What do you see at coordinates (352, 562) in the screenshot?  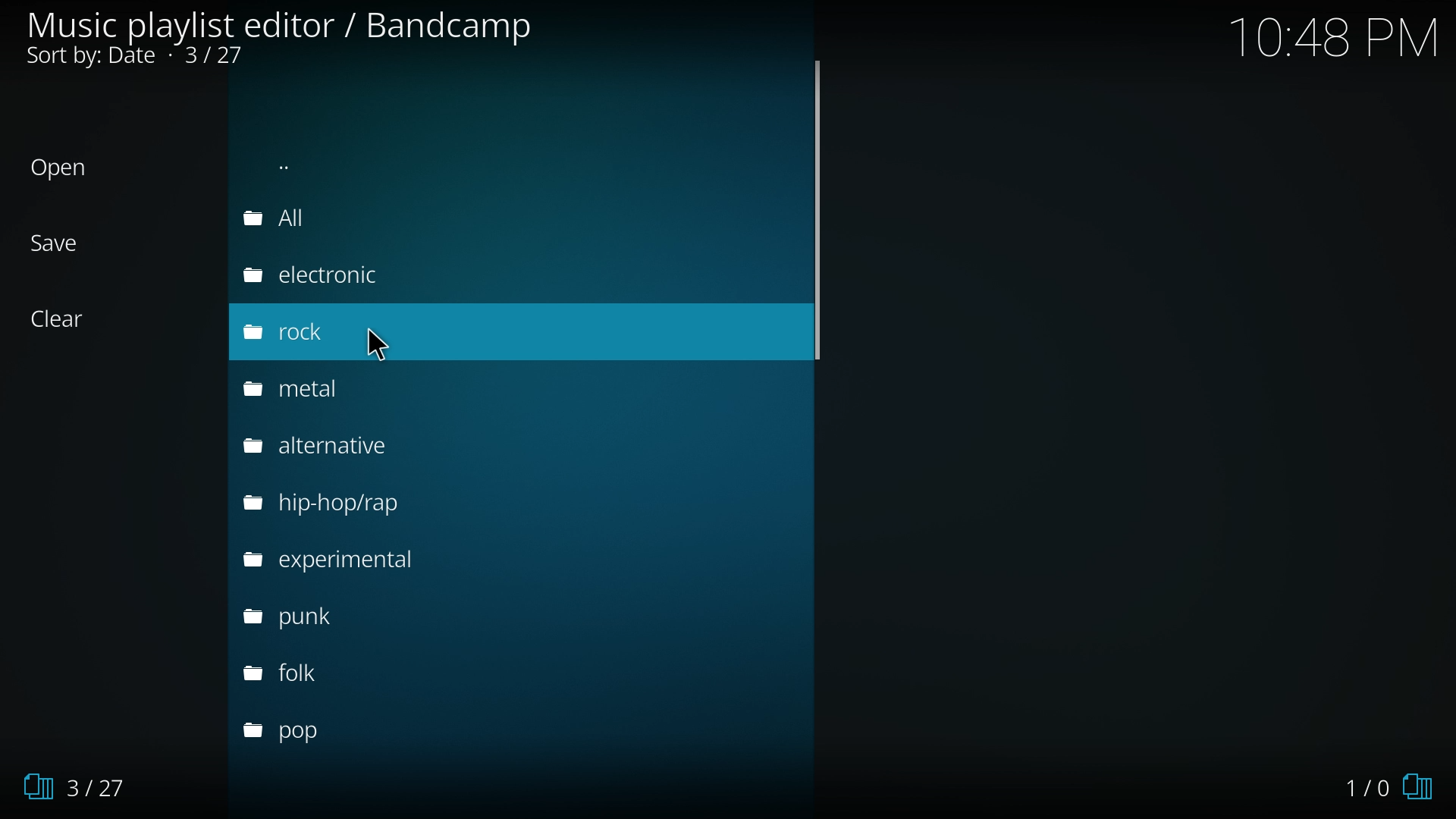 I see `experimental` at bounding box center [352, 562].